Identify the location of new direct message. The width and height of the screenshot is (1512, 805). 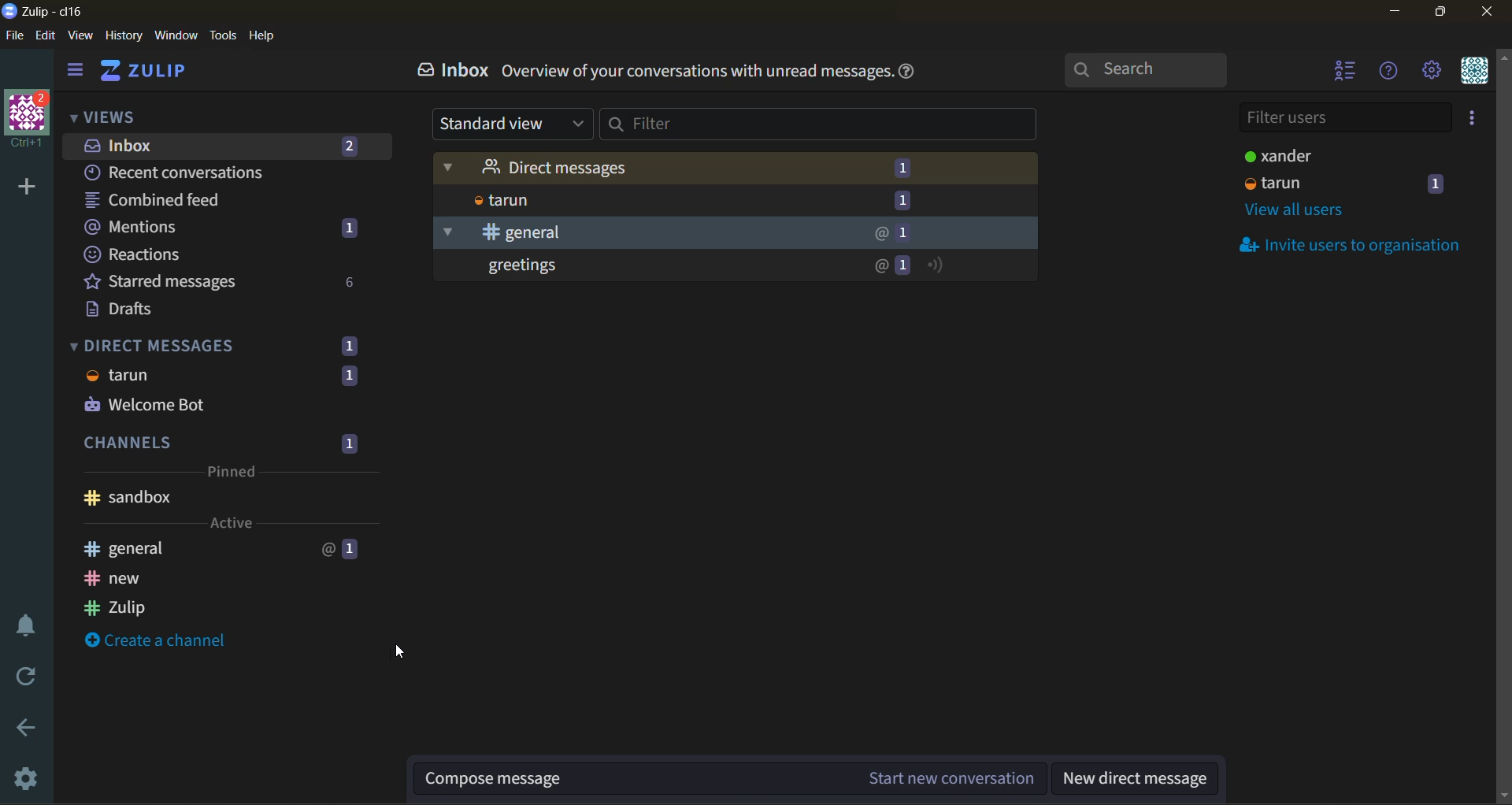
(1141, 779).